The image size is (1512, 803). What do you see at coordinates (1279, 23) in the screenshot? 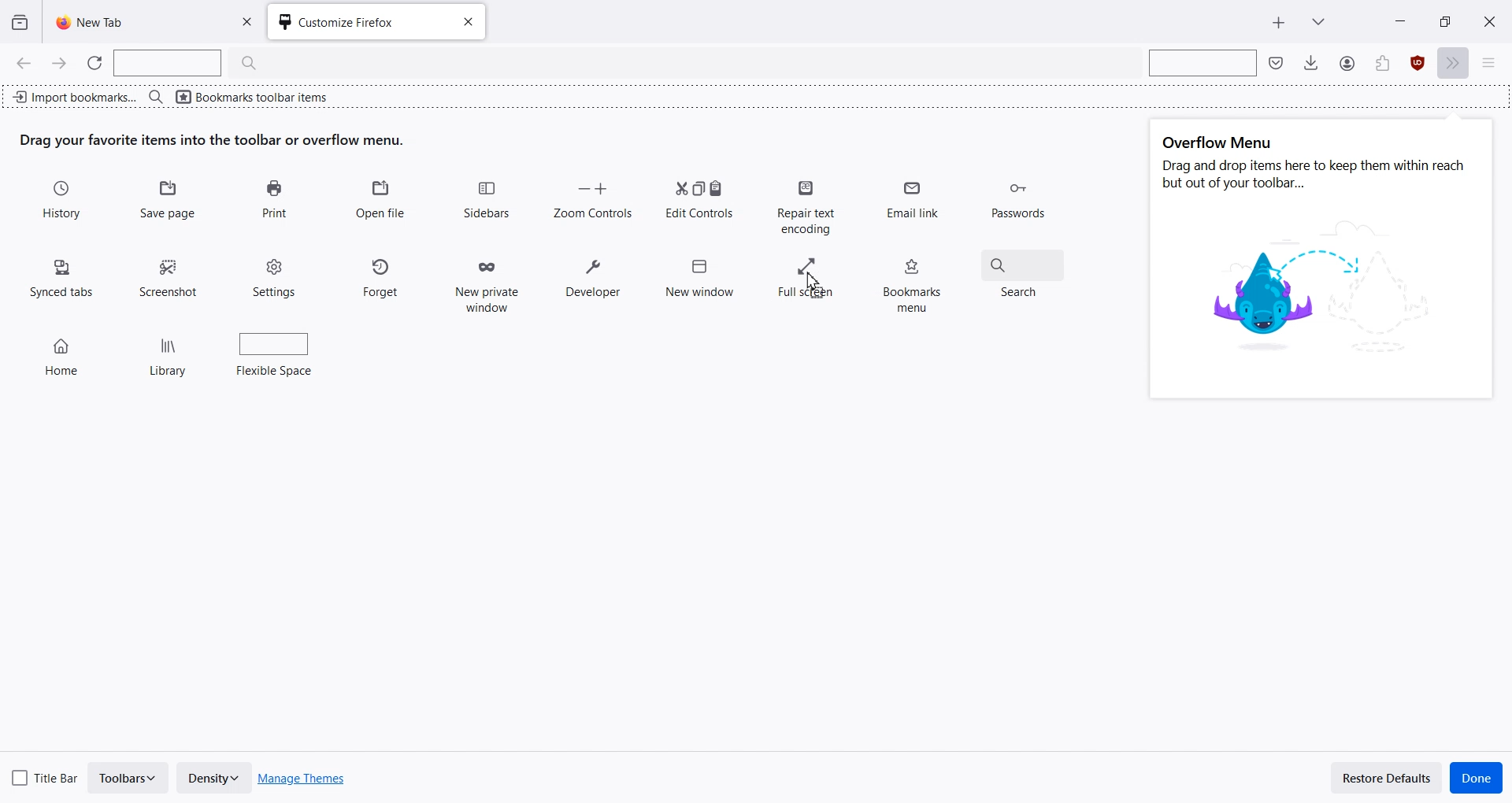
I see `New Tab` at bounding box center [1279, 23].